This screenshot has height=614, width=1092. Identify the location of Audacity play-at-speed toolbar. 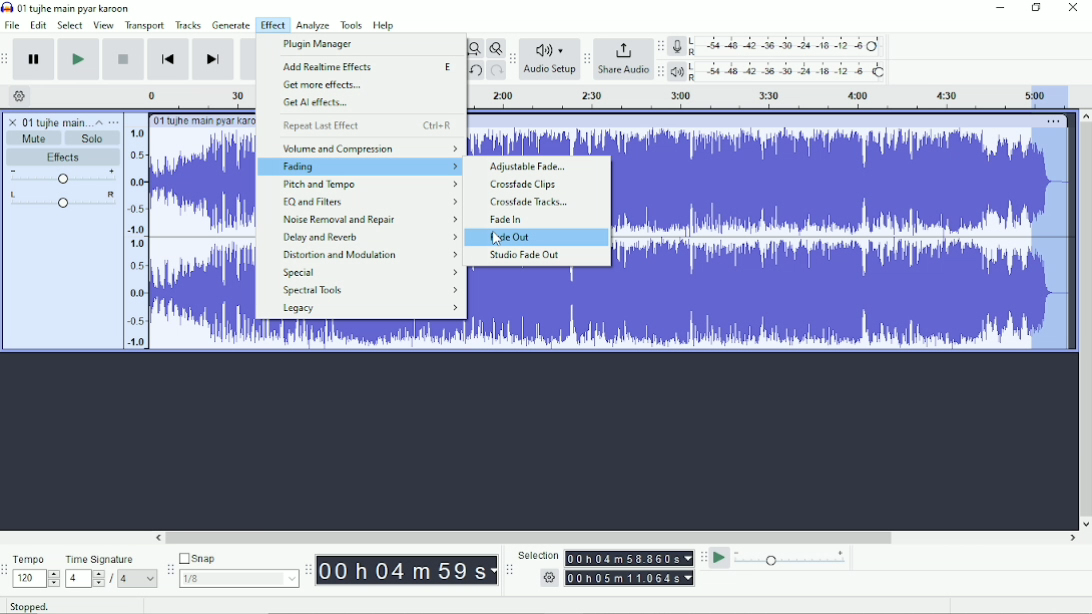
(703, 558).